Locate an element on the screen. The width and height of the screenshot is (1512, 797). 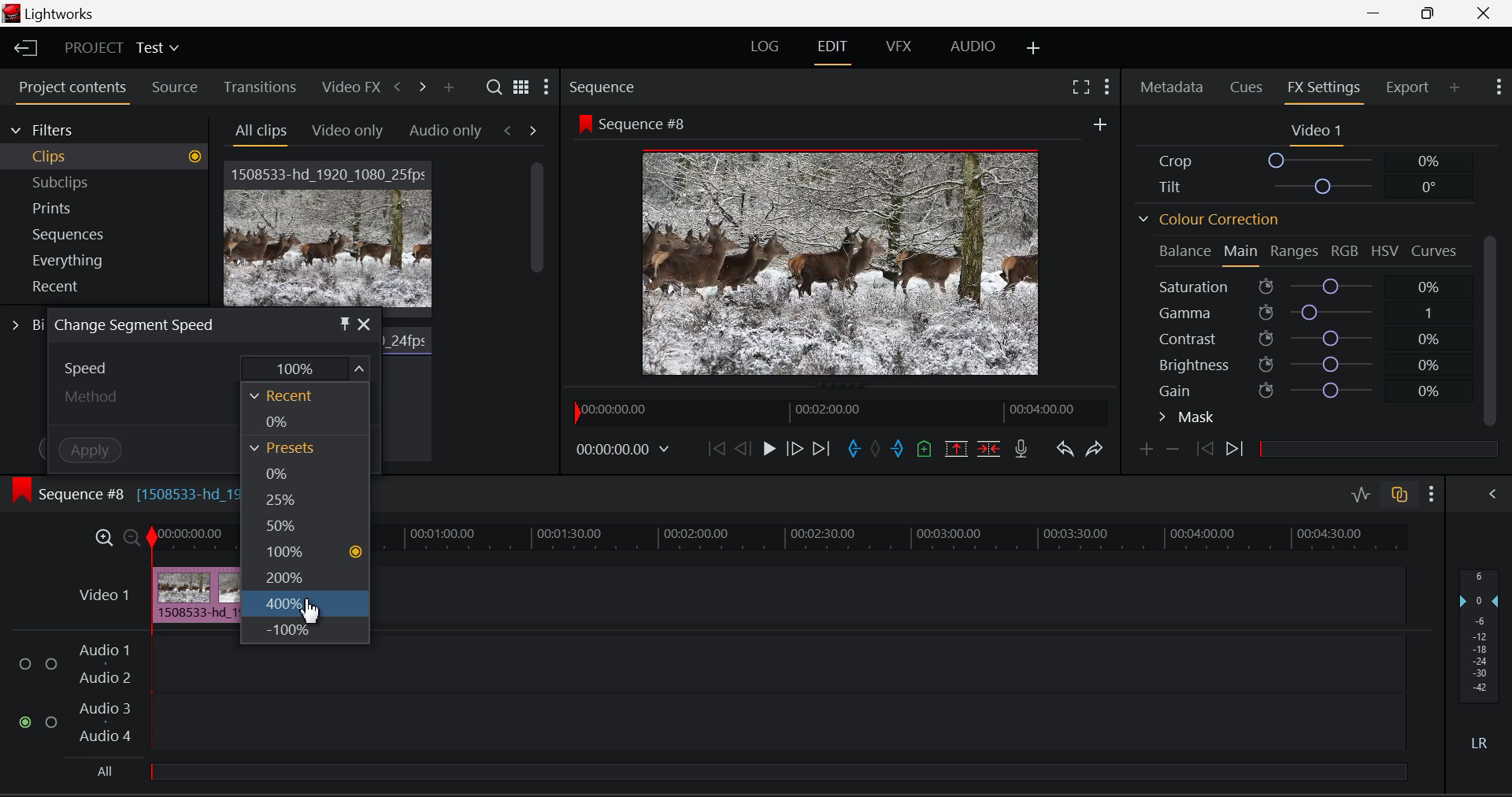
LOG is located at coordinates (767, 46).